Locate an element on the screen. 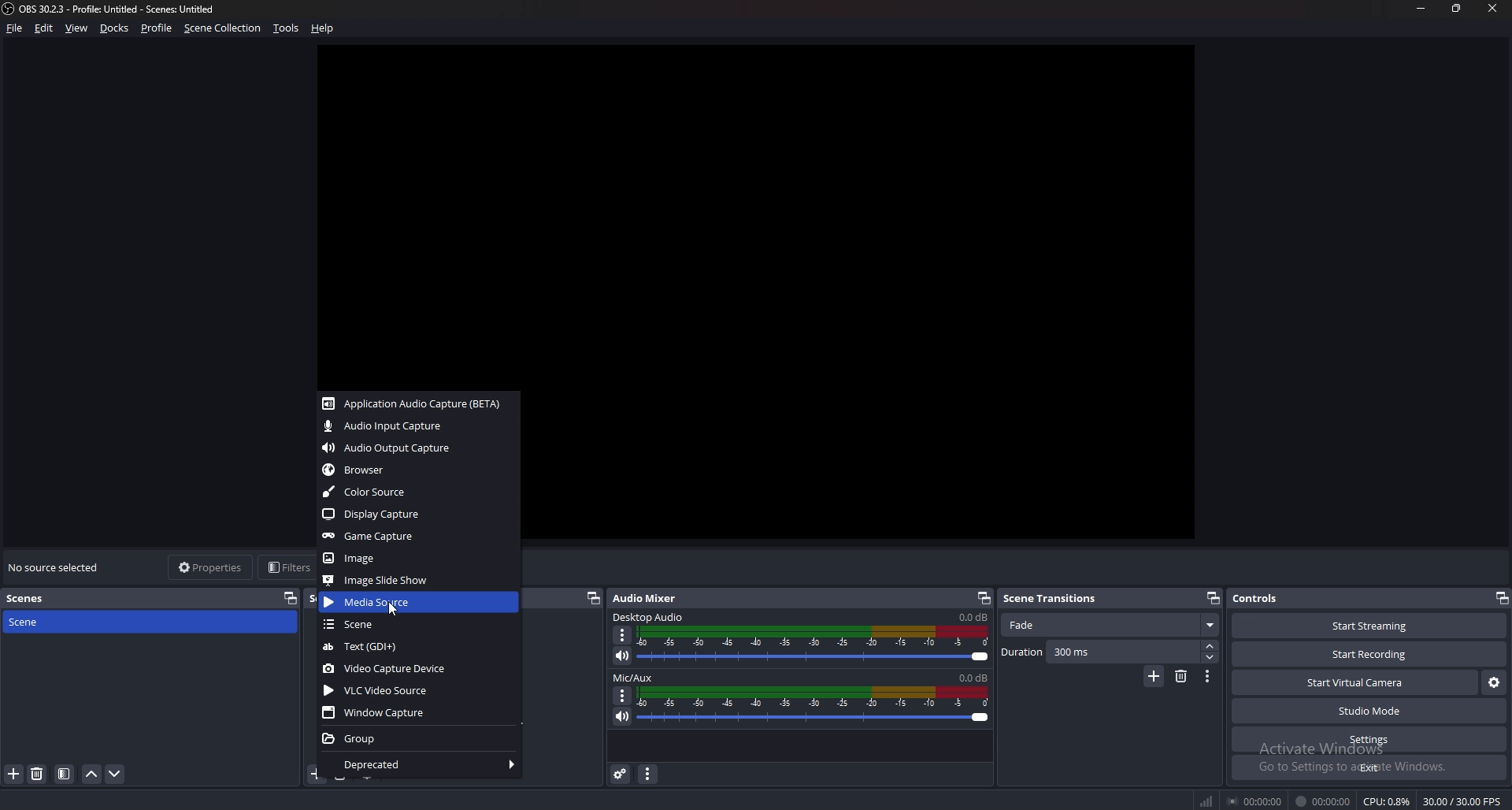  move scene down is located at coordinates (116, 773).